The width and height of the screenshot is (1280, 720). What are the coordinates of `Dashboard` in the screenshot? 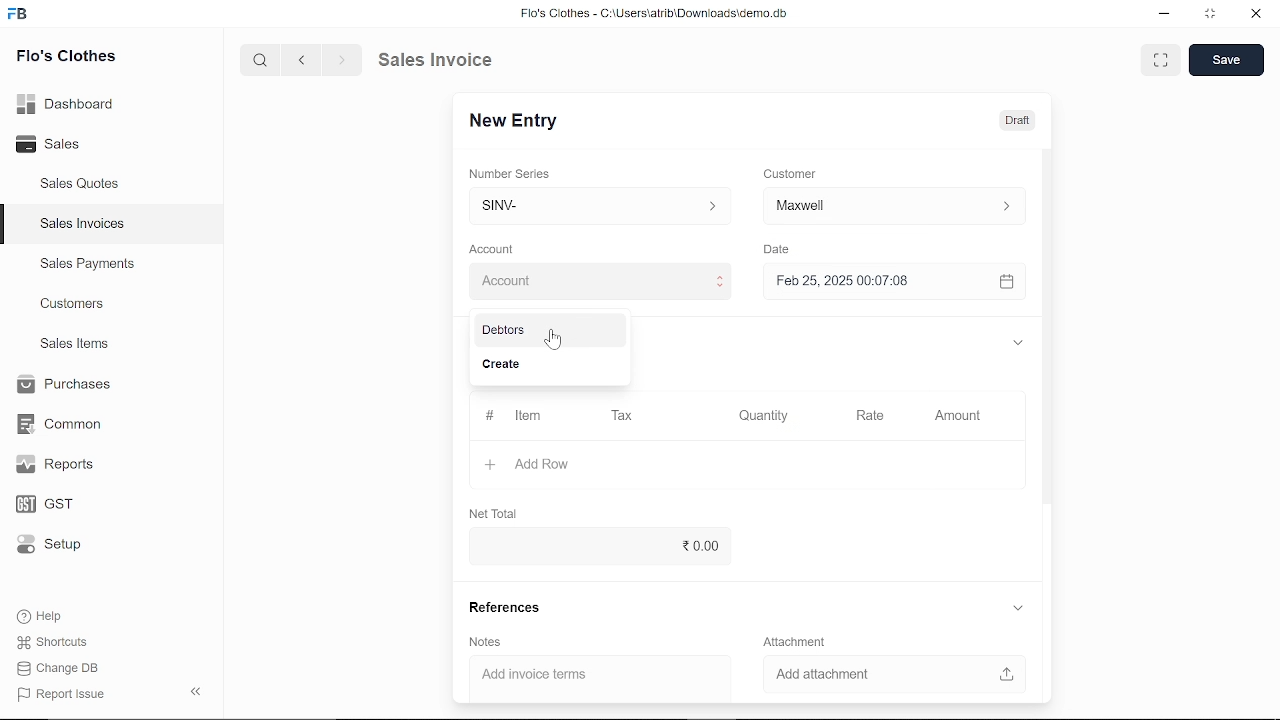 It's located at (67, 107).